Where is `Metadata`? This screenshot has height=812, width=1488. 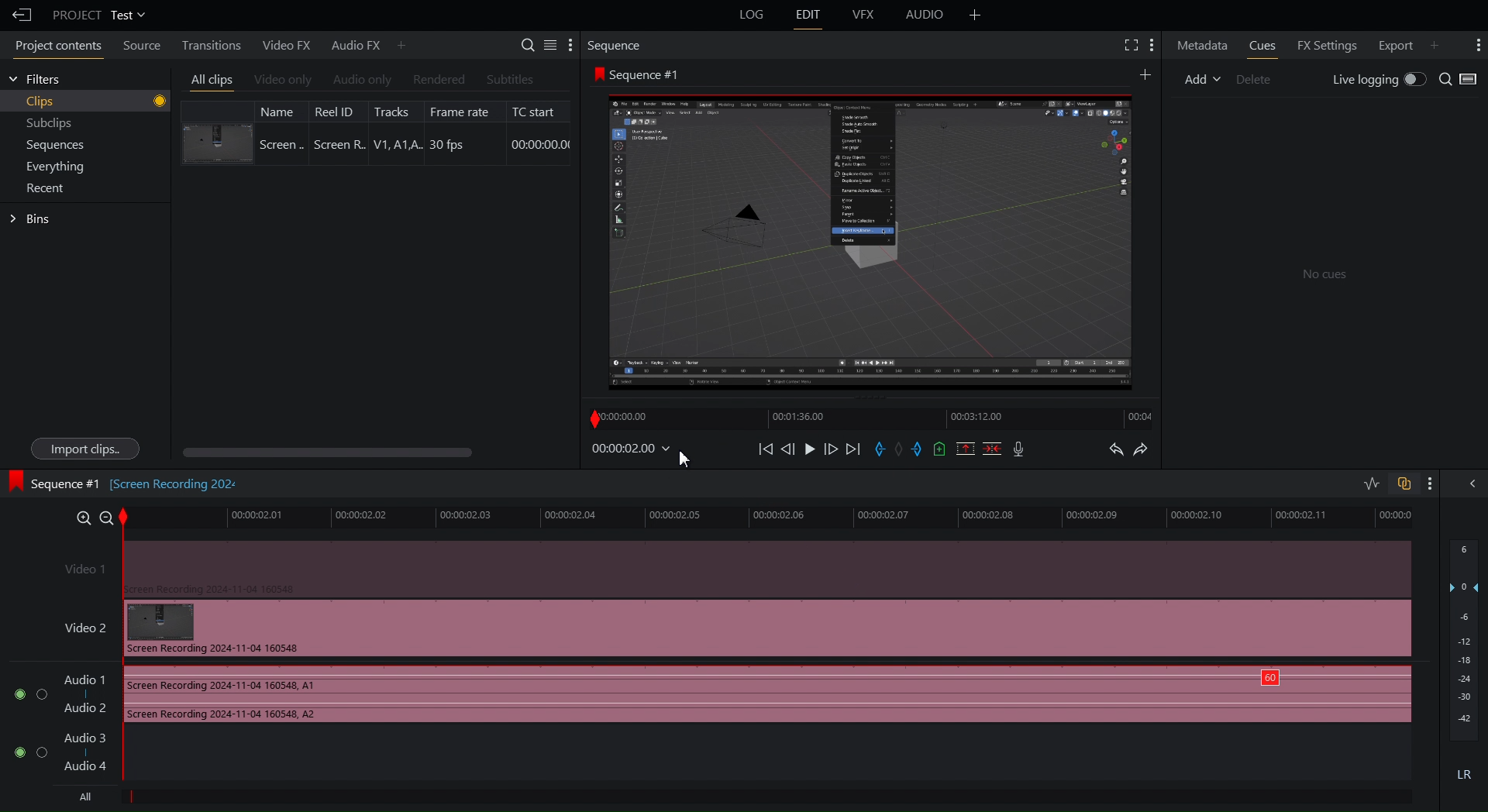 Metadata is located at coordinates (1203, 44).